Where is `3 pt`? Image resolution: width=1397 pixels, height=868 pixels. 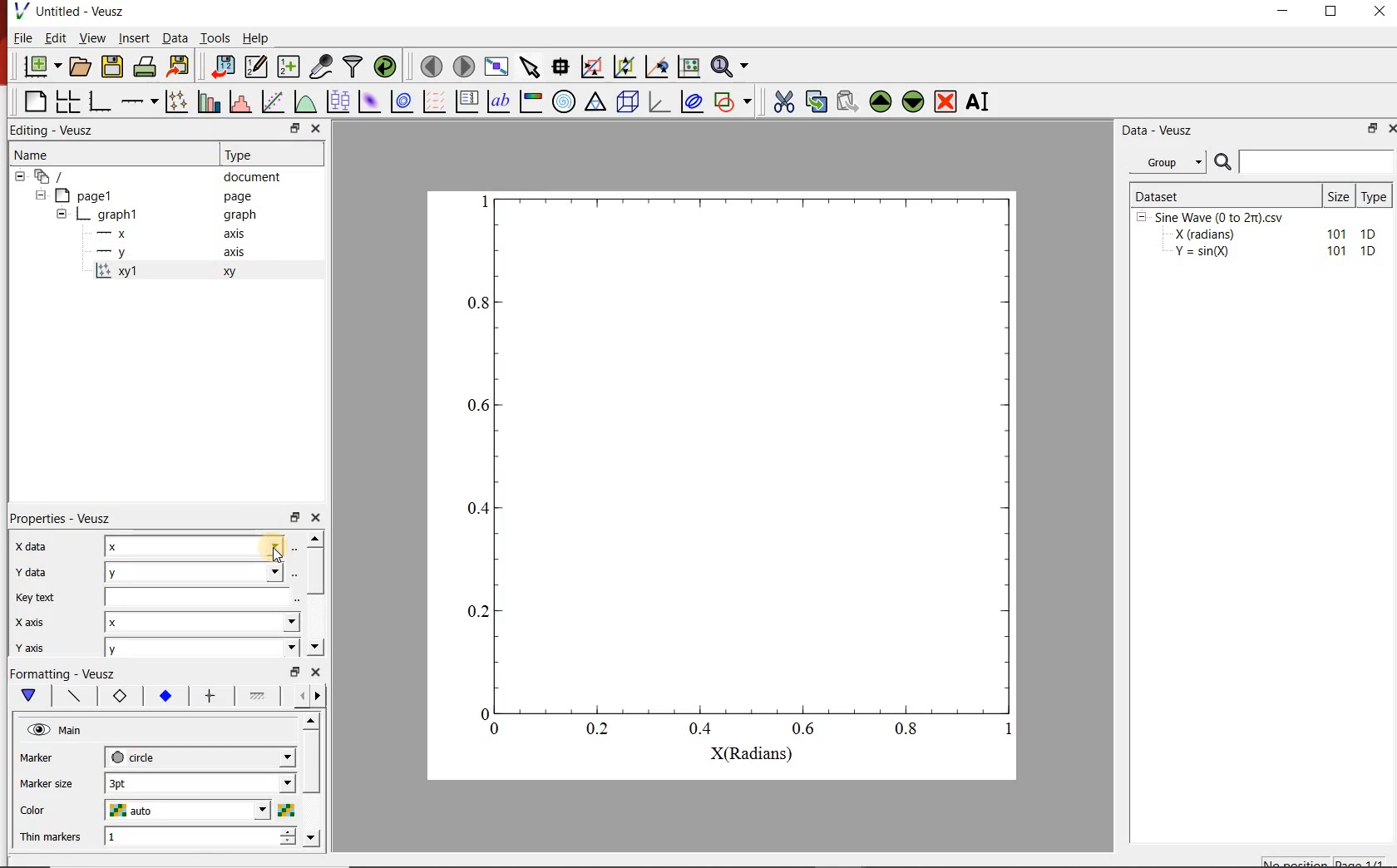
3 pt is located at coordinates (200, 782).